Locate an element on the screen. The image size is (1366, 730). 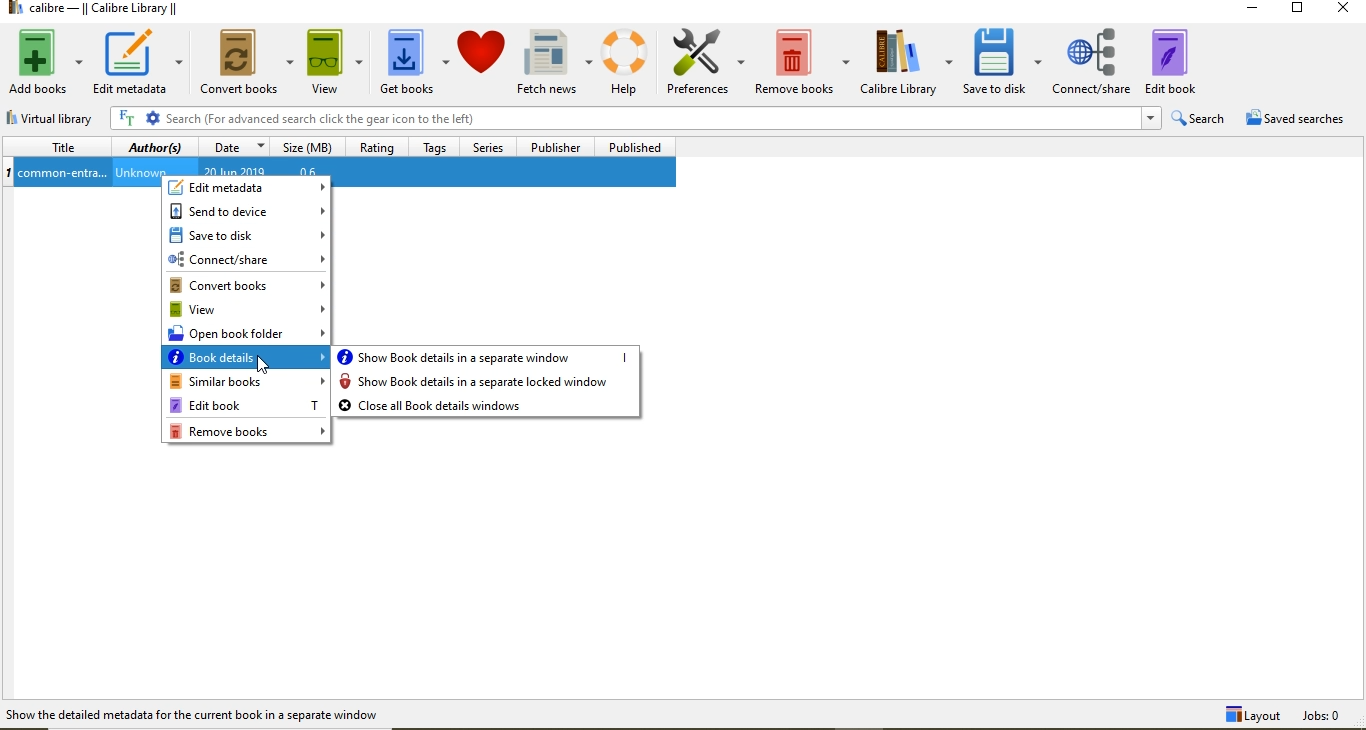
Restore is located at coordinates (1296, 11).